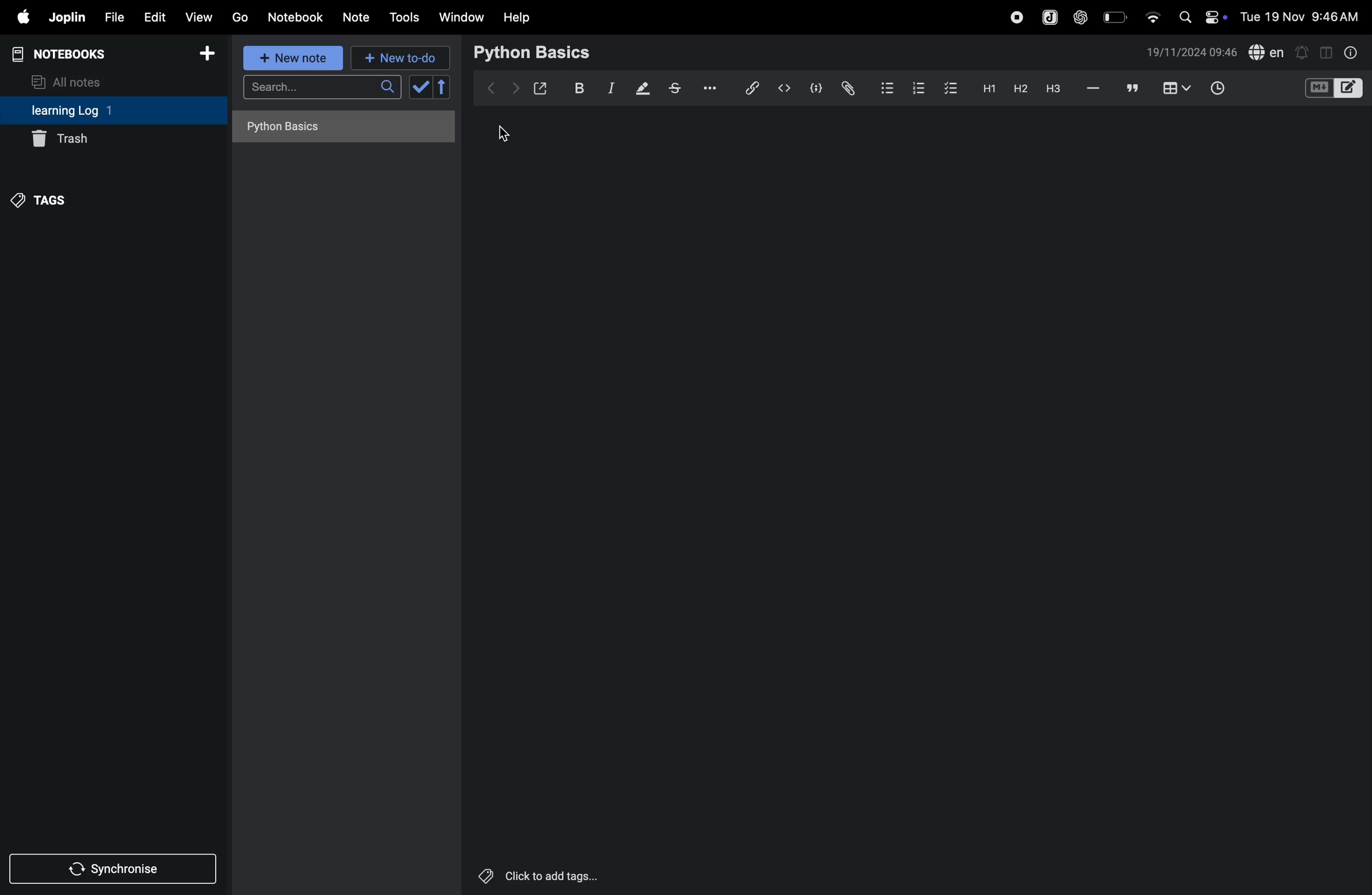 This screenshot has height=895, width=1372. I want to click on go, so click(239, 17).